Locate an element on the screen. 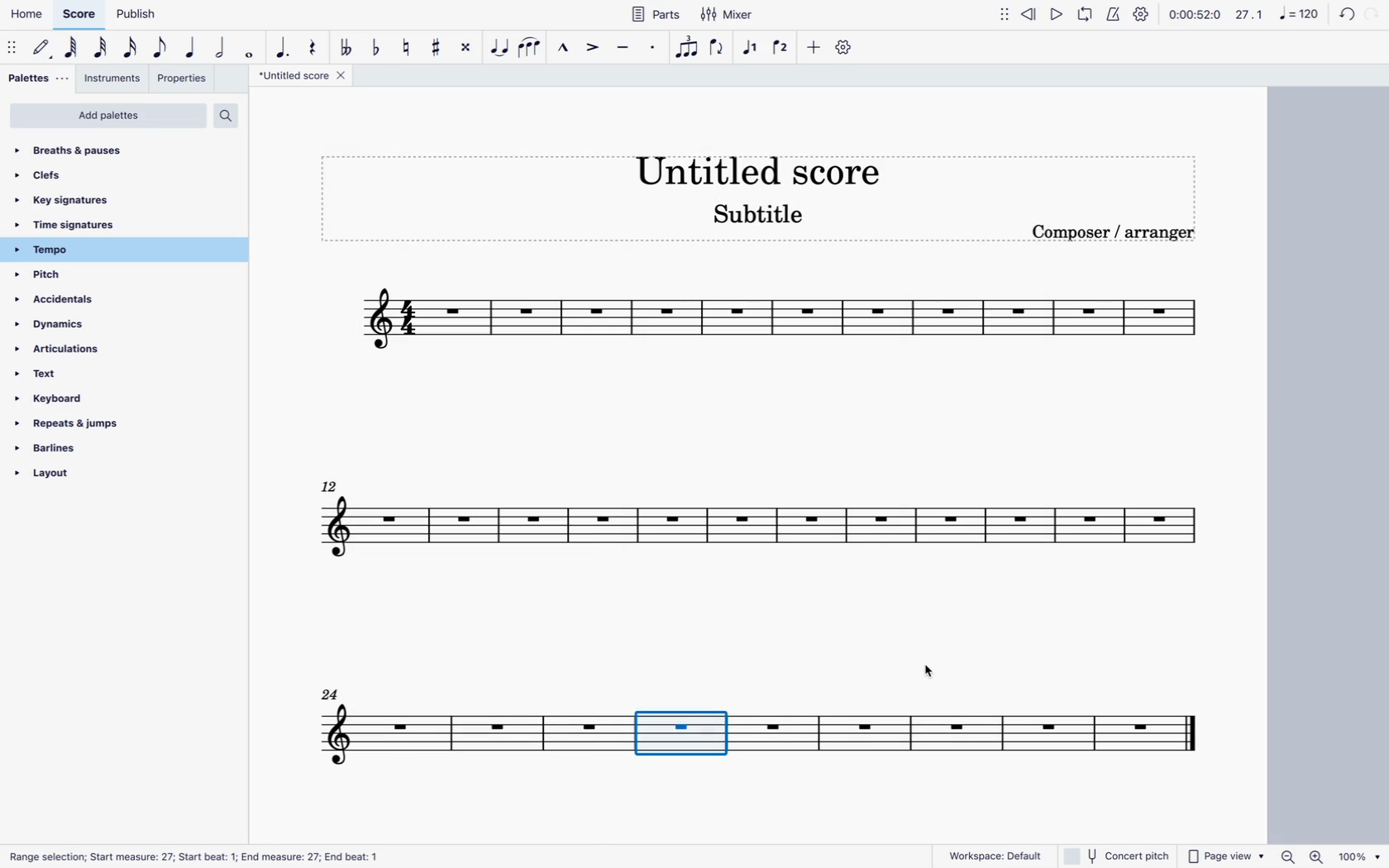  layout is located at coordinates (113, 474).